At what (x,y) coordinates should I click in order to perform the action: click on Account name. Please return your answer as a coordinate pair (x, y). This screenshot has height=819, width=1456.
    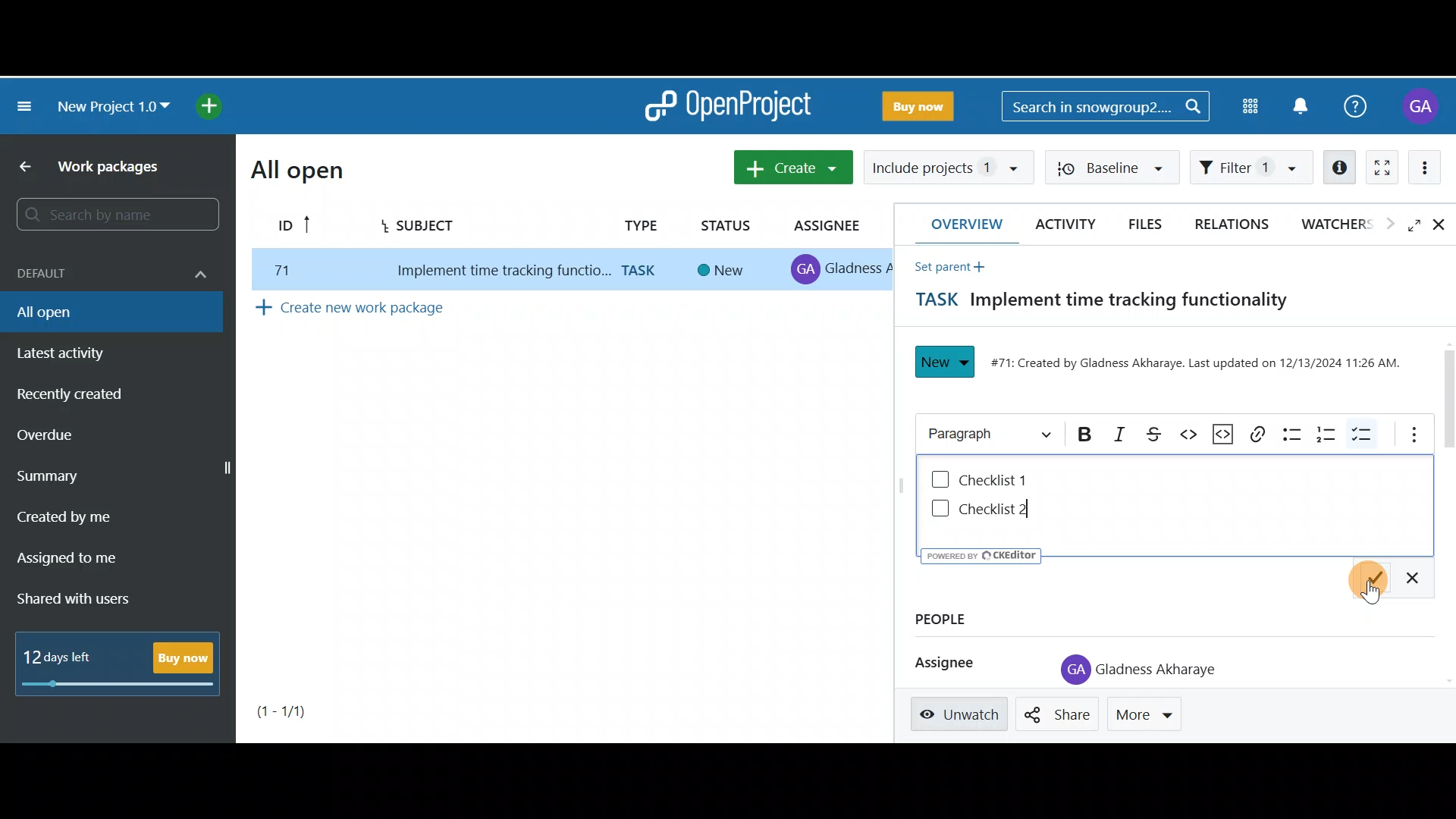
    Looking at the image, I should click on (1415, 108).